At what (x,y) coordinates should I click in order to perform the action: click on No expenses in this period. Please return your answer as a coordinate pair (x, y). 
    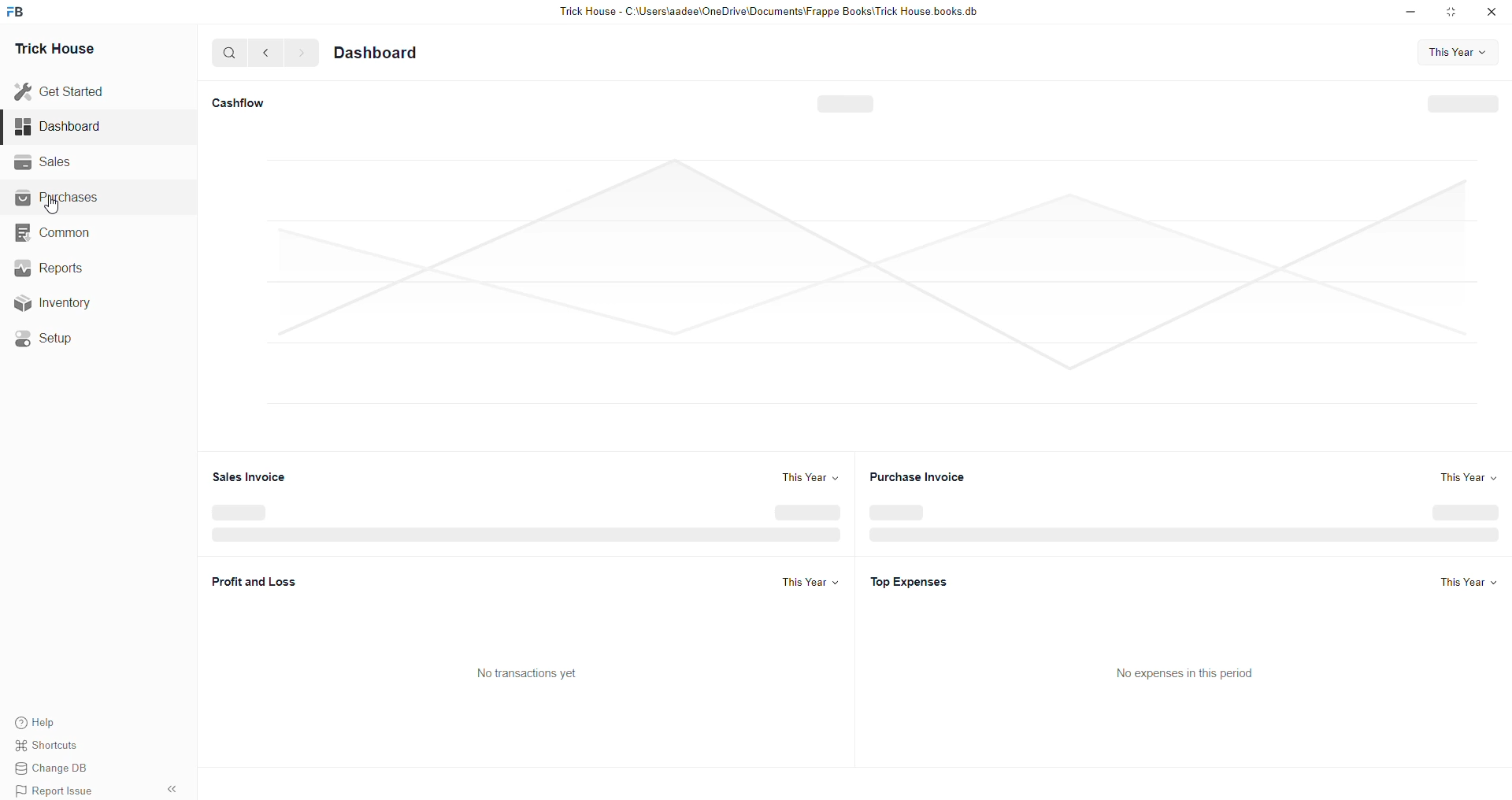
    Looking at the image, I should click on (1191, 672).